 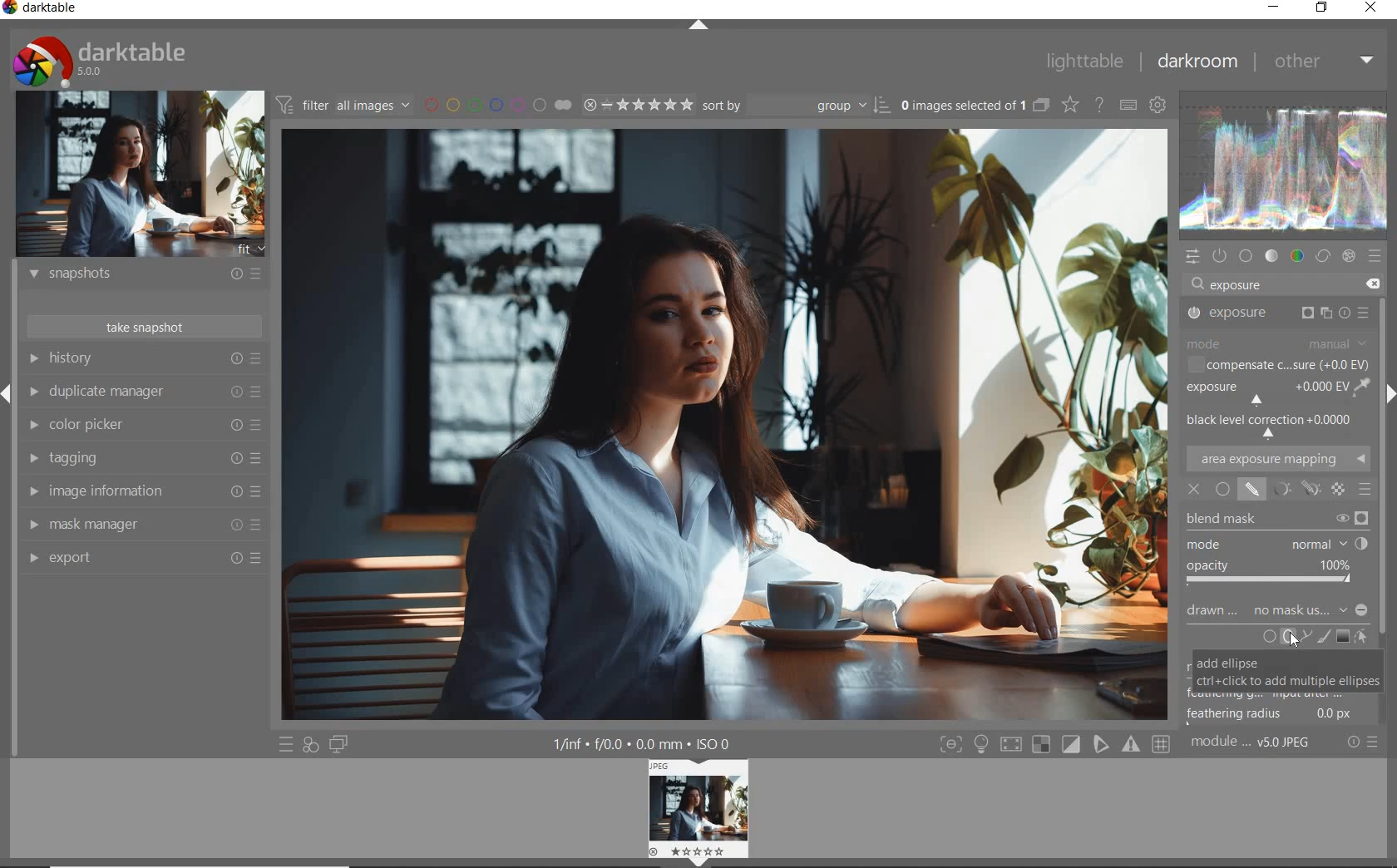 I want to click on darkroom, so click(x=1197, y=62).